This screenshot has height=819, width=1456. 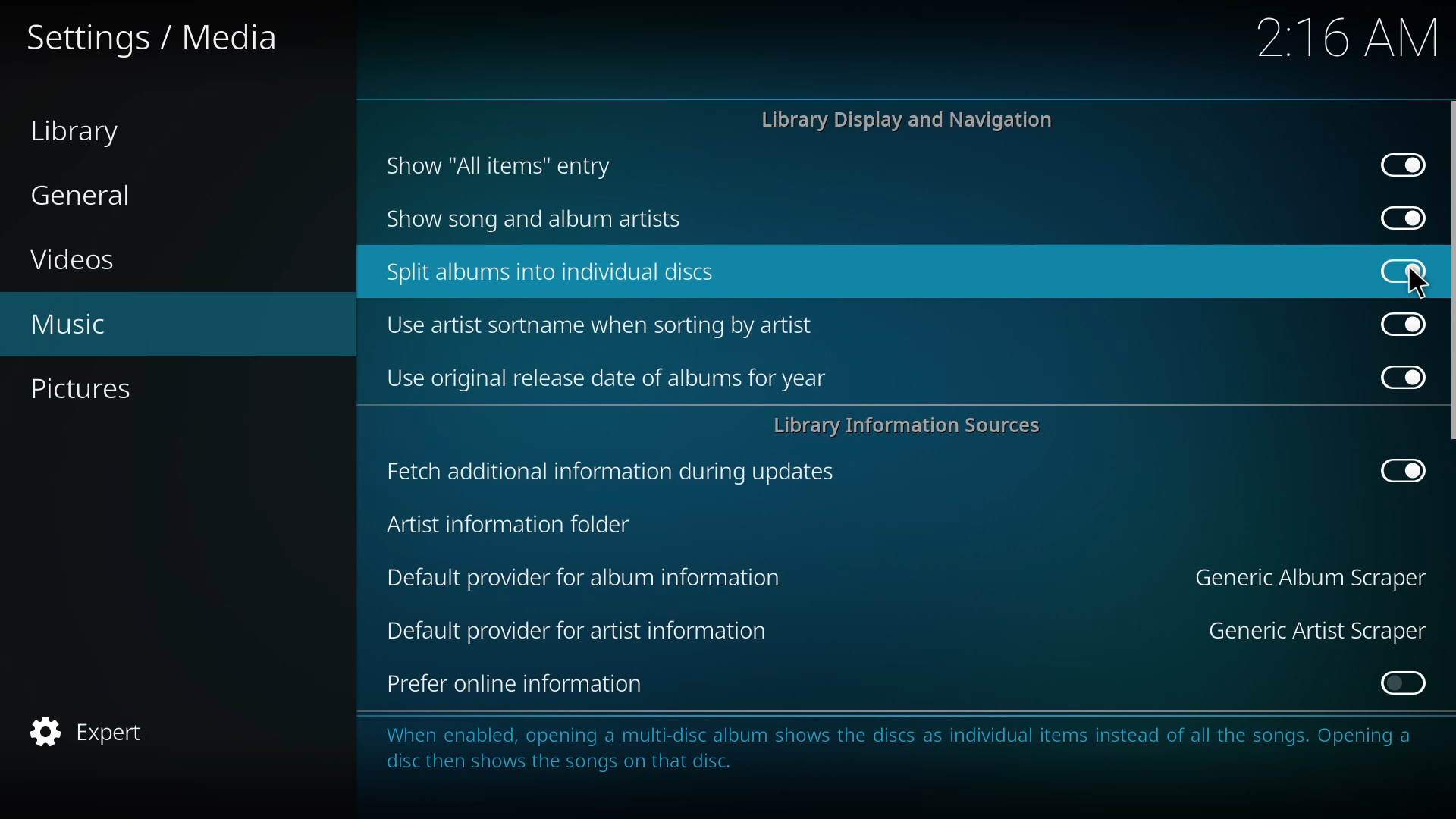 What do you see at coordinates (1398, 218) in the screenshot?
I see `enabled` at bounding box center [1398, 218].